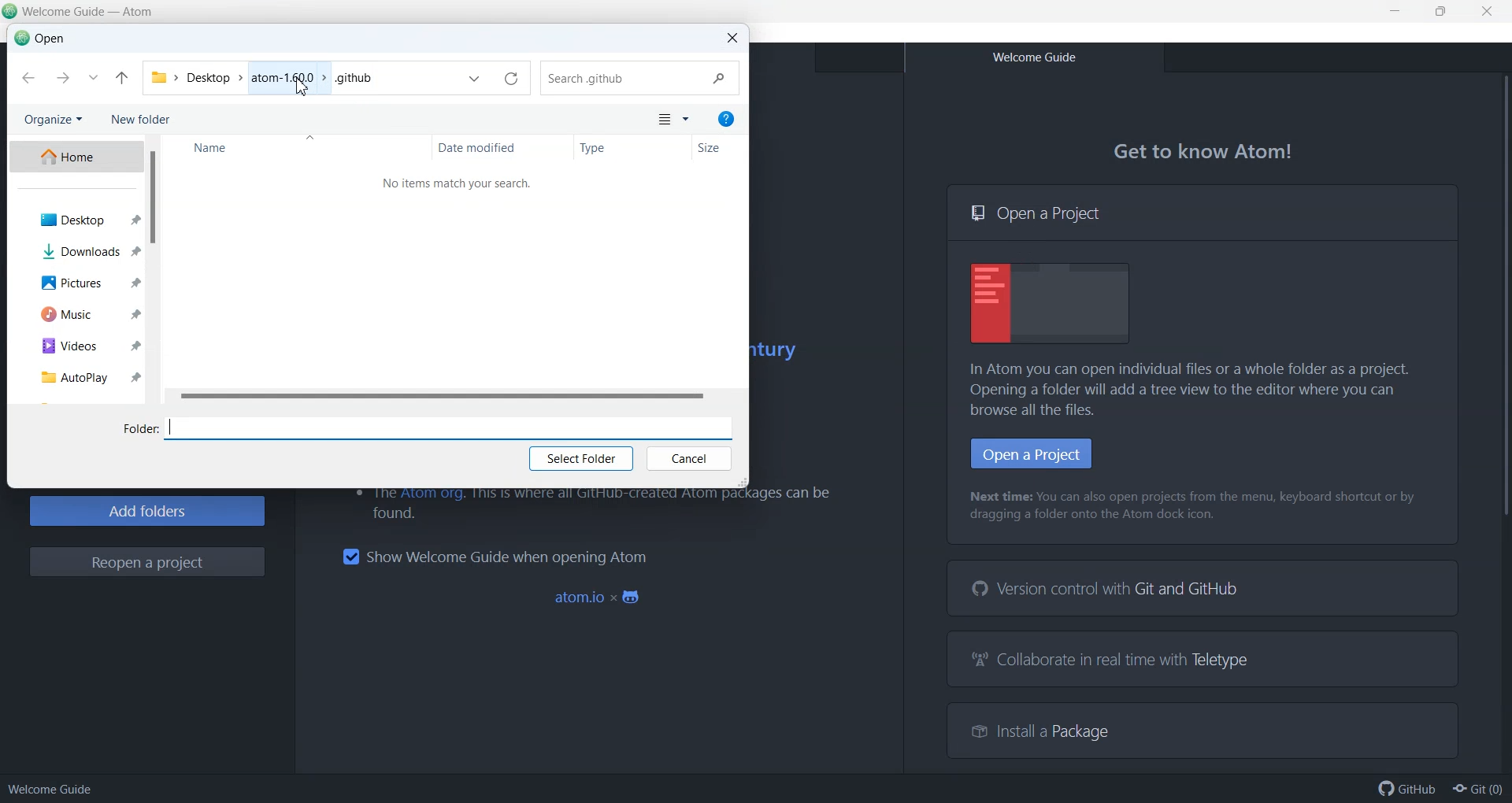 The image size is (1512, 803). Describe the element at coordinates (283, 77) in the screenshot. I see `atom-1.60.0` at that location.